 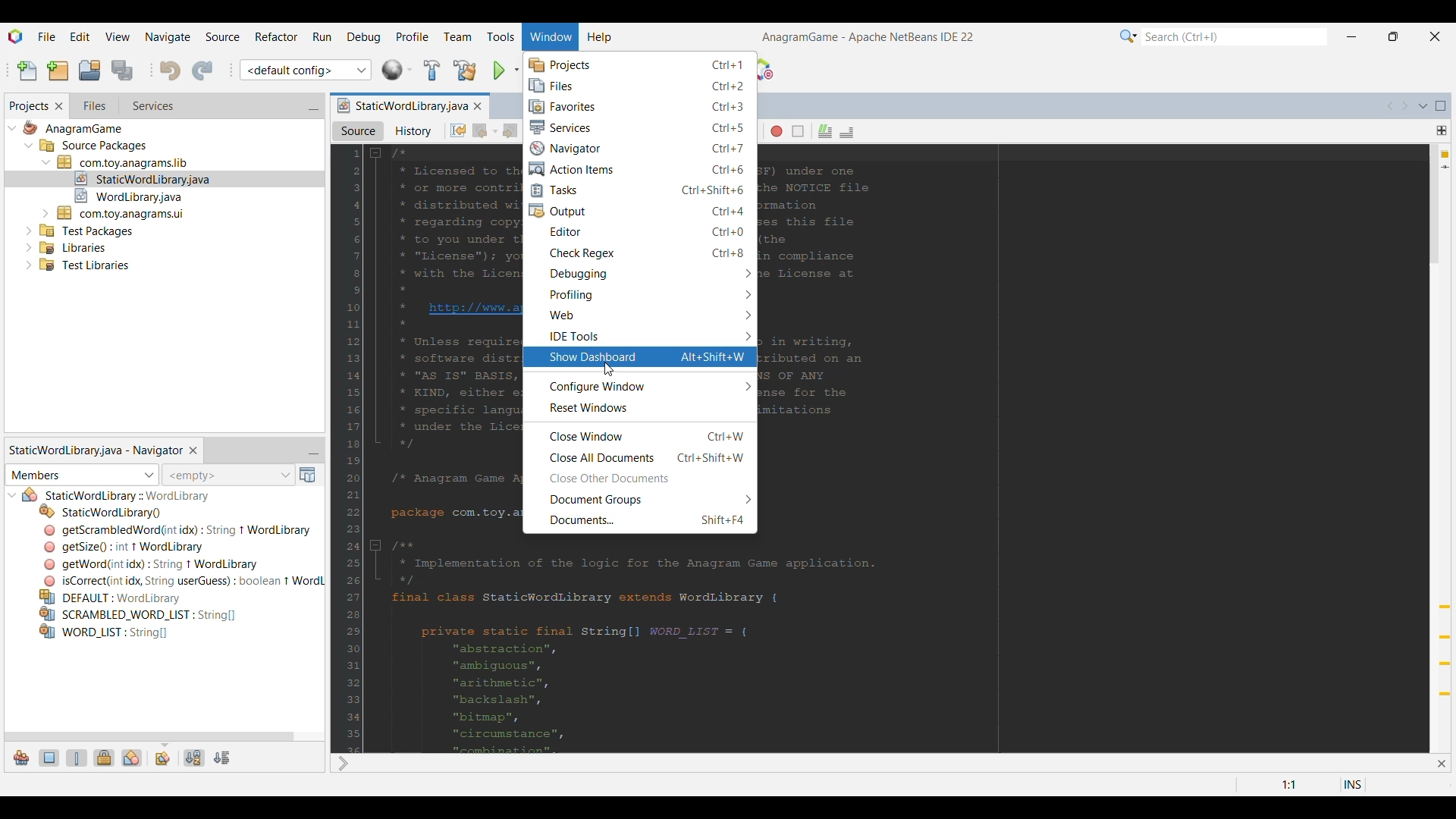 What do you see at coordinates (639, 357) in the screenshot?
I see `Show dashboard, current selection` at bounding box center [639, 357].